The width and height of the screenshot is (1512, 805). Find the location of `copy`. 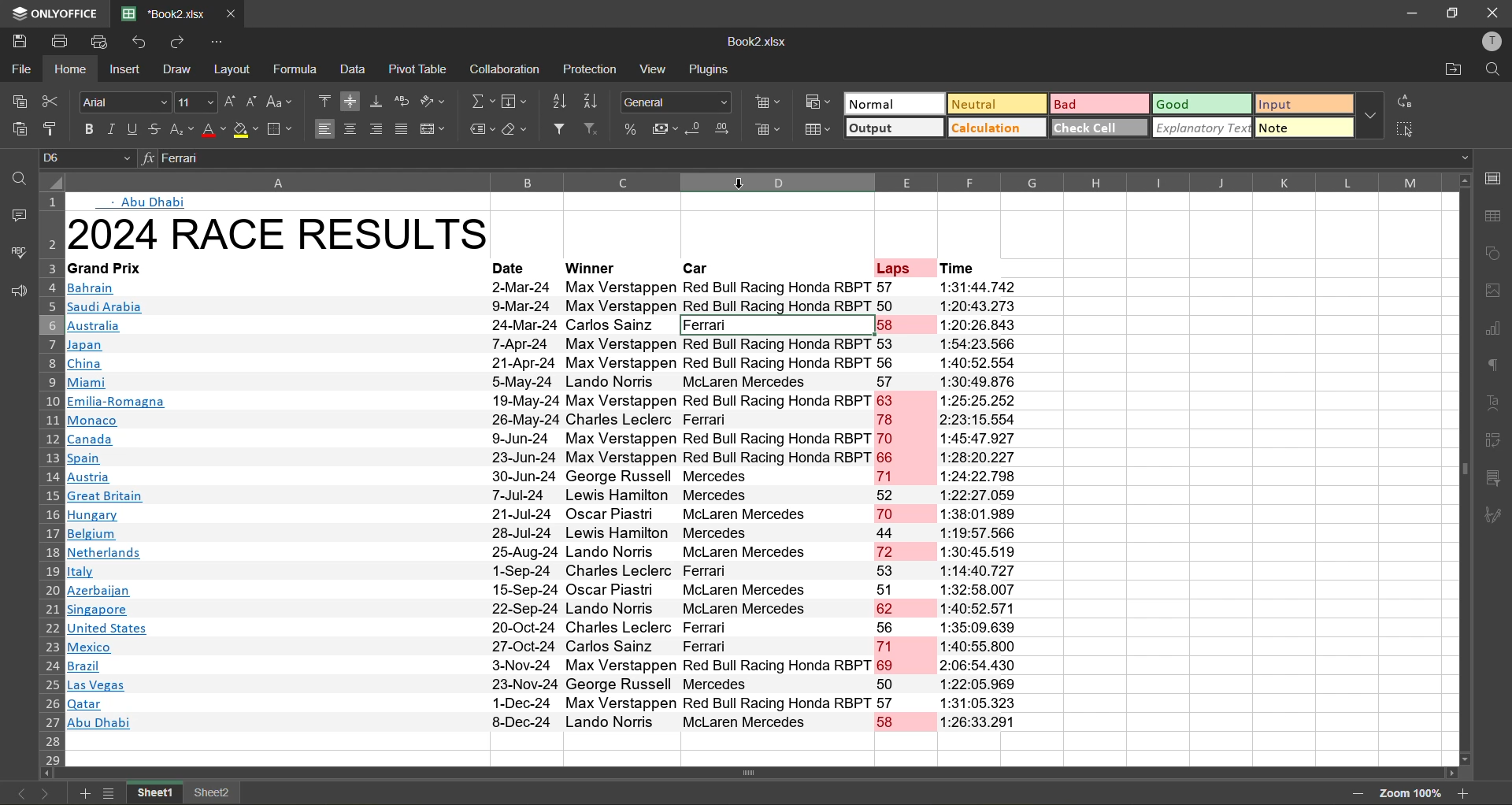

copy is located at coordinates (16, 102).